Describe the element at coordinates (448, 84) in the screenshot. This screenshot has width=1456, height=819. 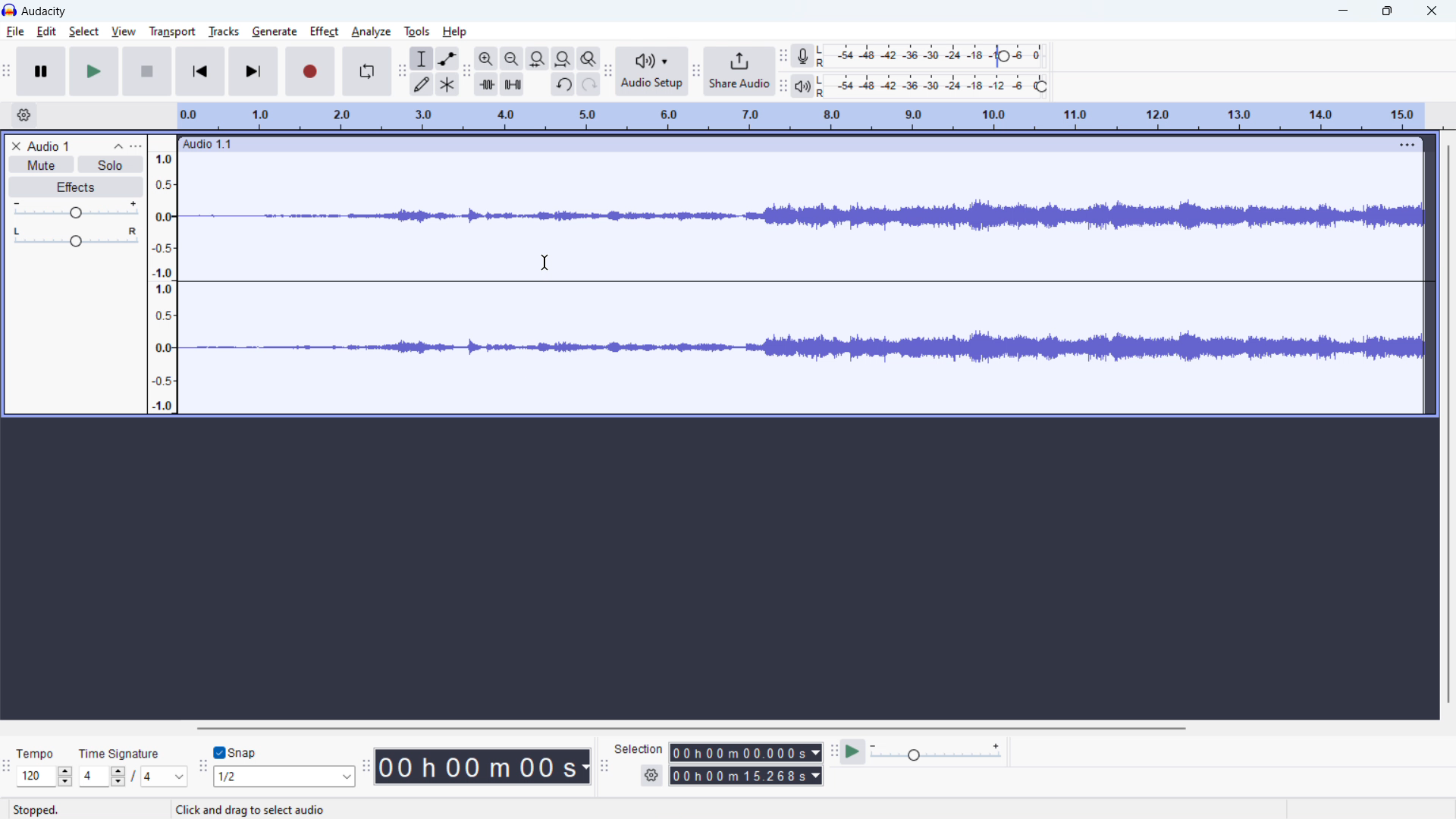
I see `multi tool` at that location.